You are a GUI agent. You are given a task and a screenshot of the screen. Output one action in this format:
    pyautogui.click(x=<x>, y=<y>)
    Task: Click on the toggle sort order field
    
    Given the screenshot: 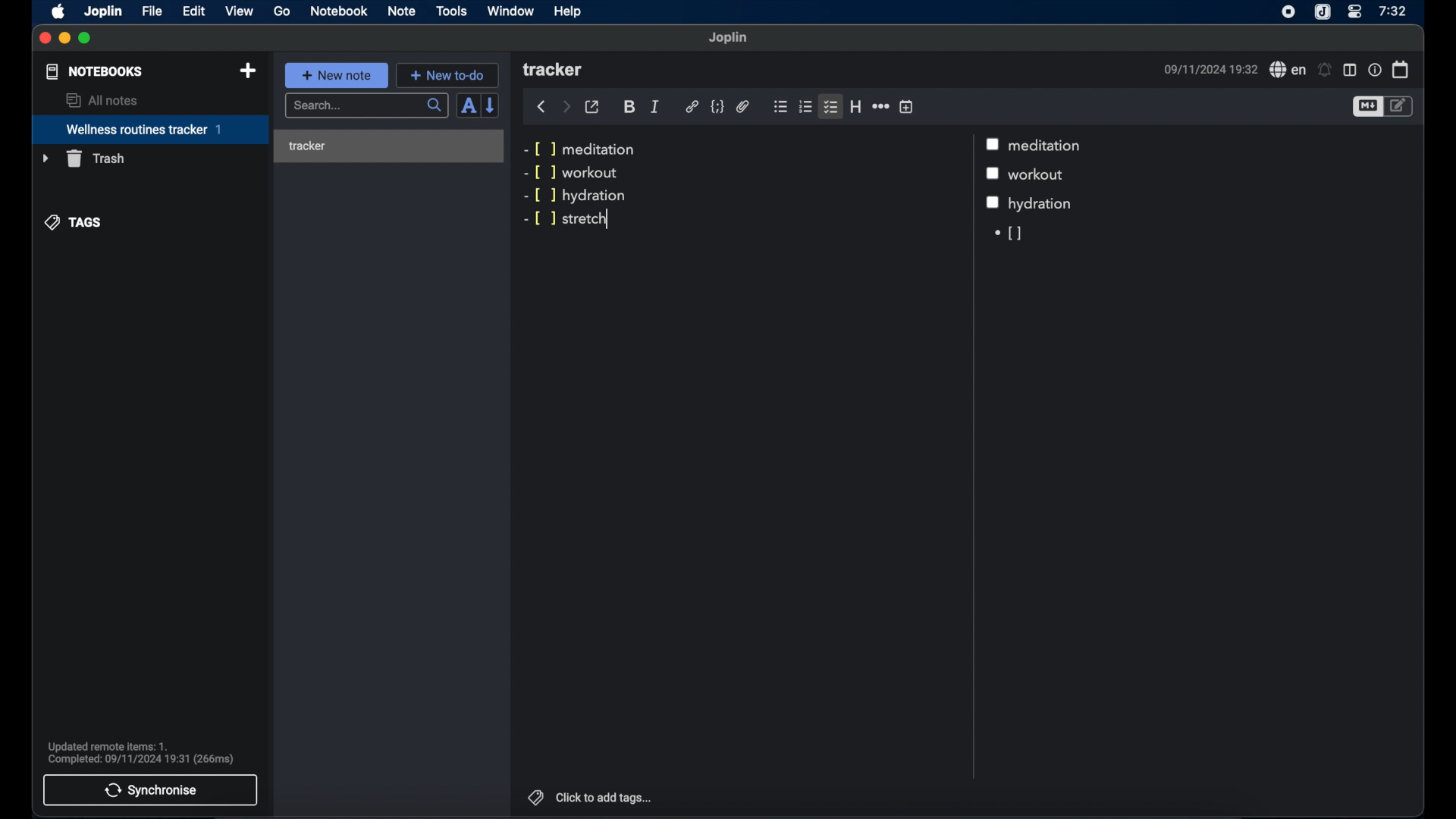 What is the action you would take?
    pyautogui.click(x=468, y=105)
    